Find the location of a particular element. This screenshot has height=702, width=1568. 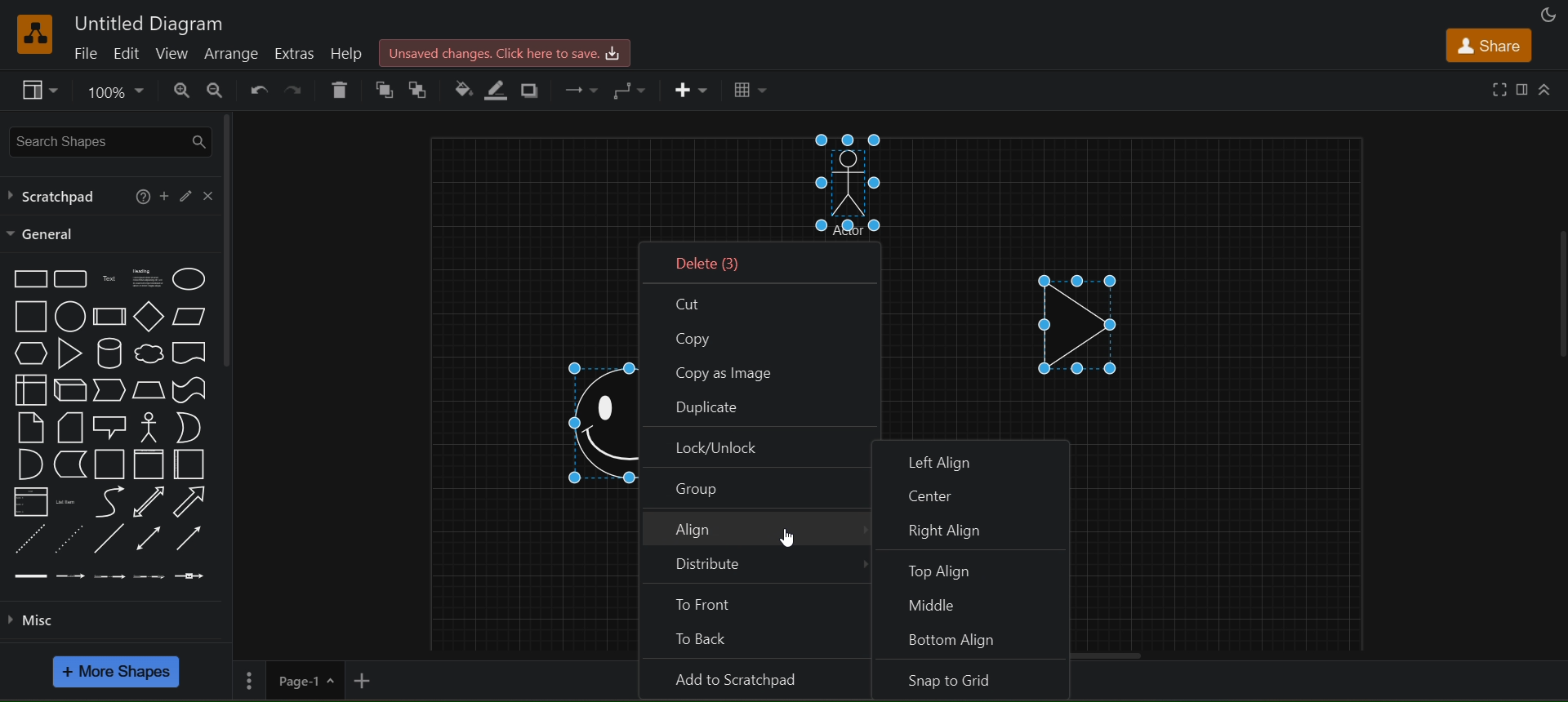

trapezoid is located at coordinates (148, 389).